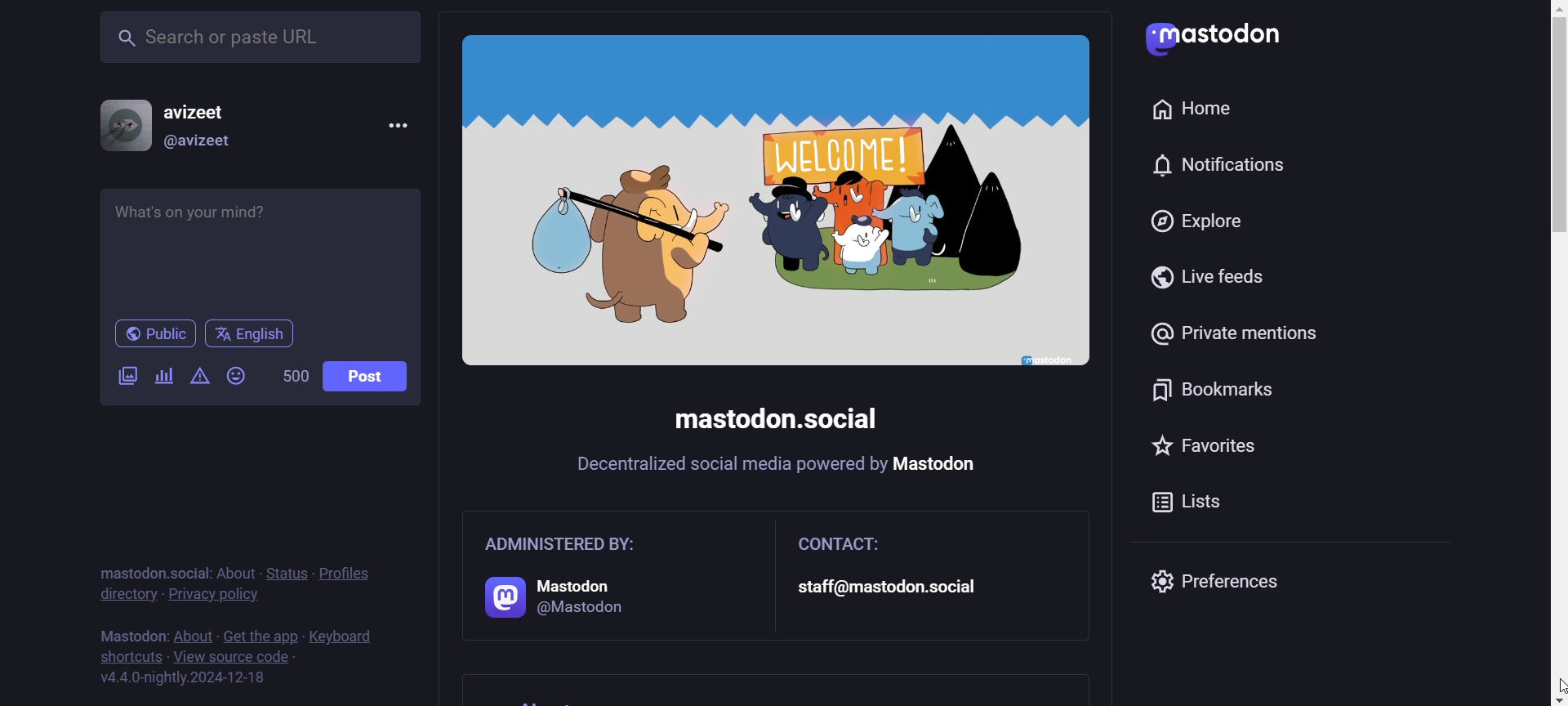 Image resolution: width=1568 pixels, height=706 pixels. What do you see at coordinates (728, 465) in the screenshot?
I see `Decentralized social media powered by` at bounding box center [728, 465].